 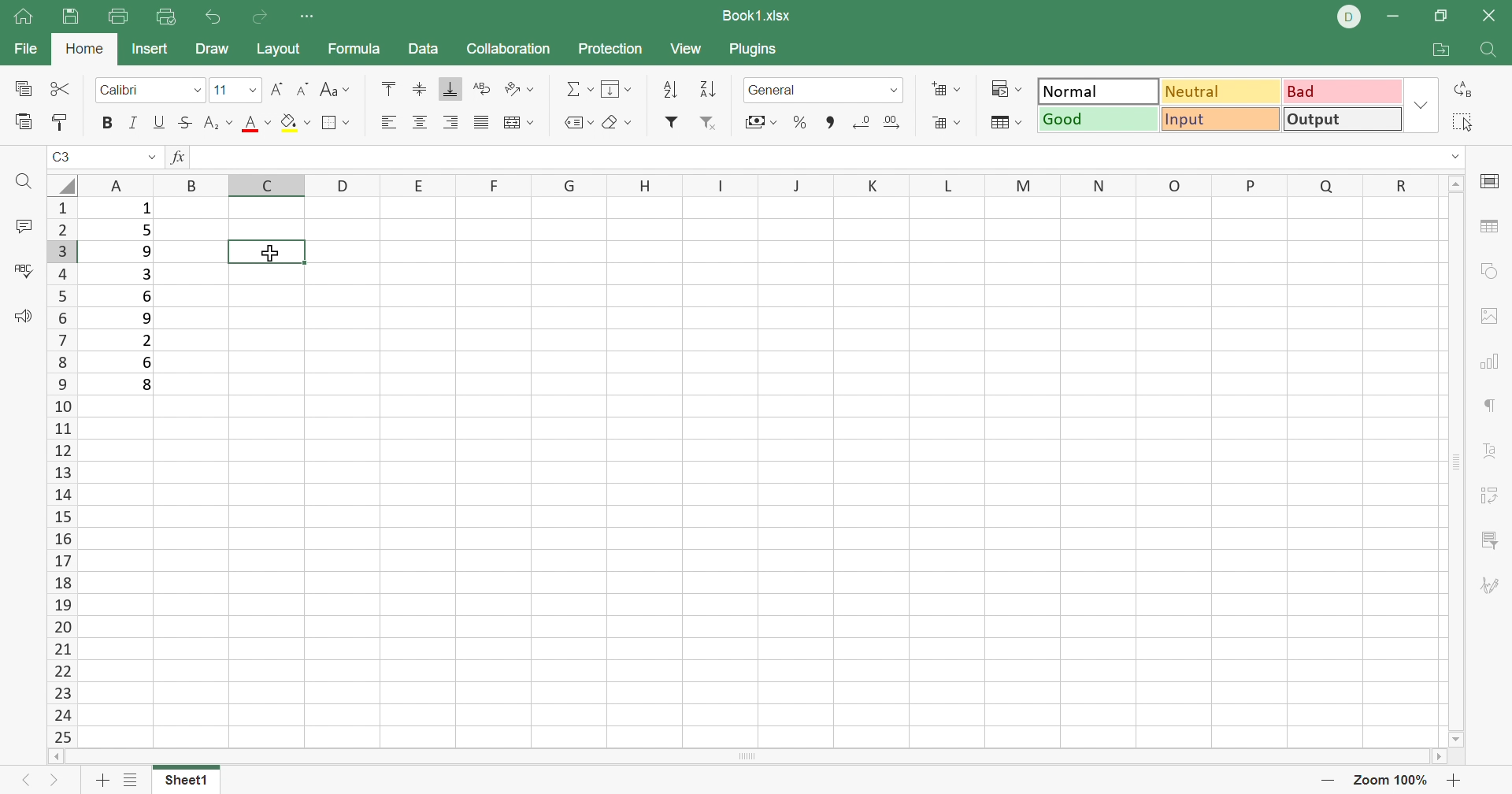 I want to click on Row names, so click(x=61, y=471).